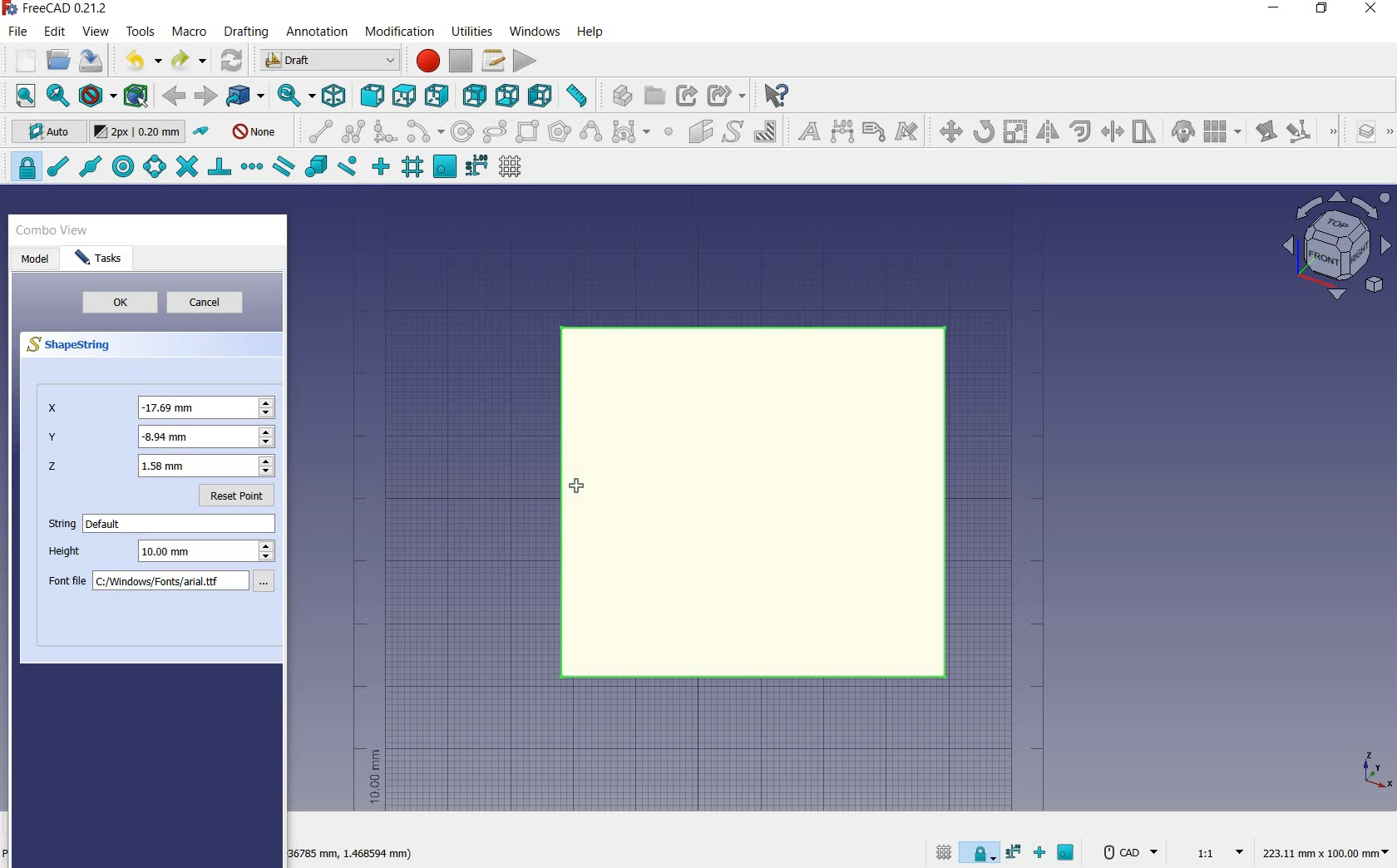  Describe the element at coordinates (509, 96) in the screenshot. I see `bottom` at that location.